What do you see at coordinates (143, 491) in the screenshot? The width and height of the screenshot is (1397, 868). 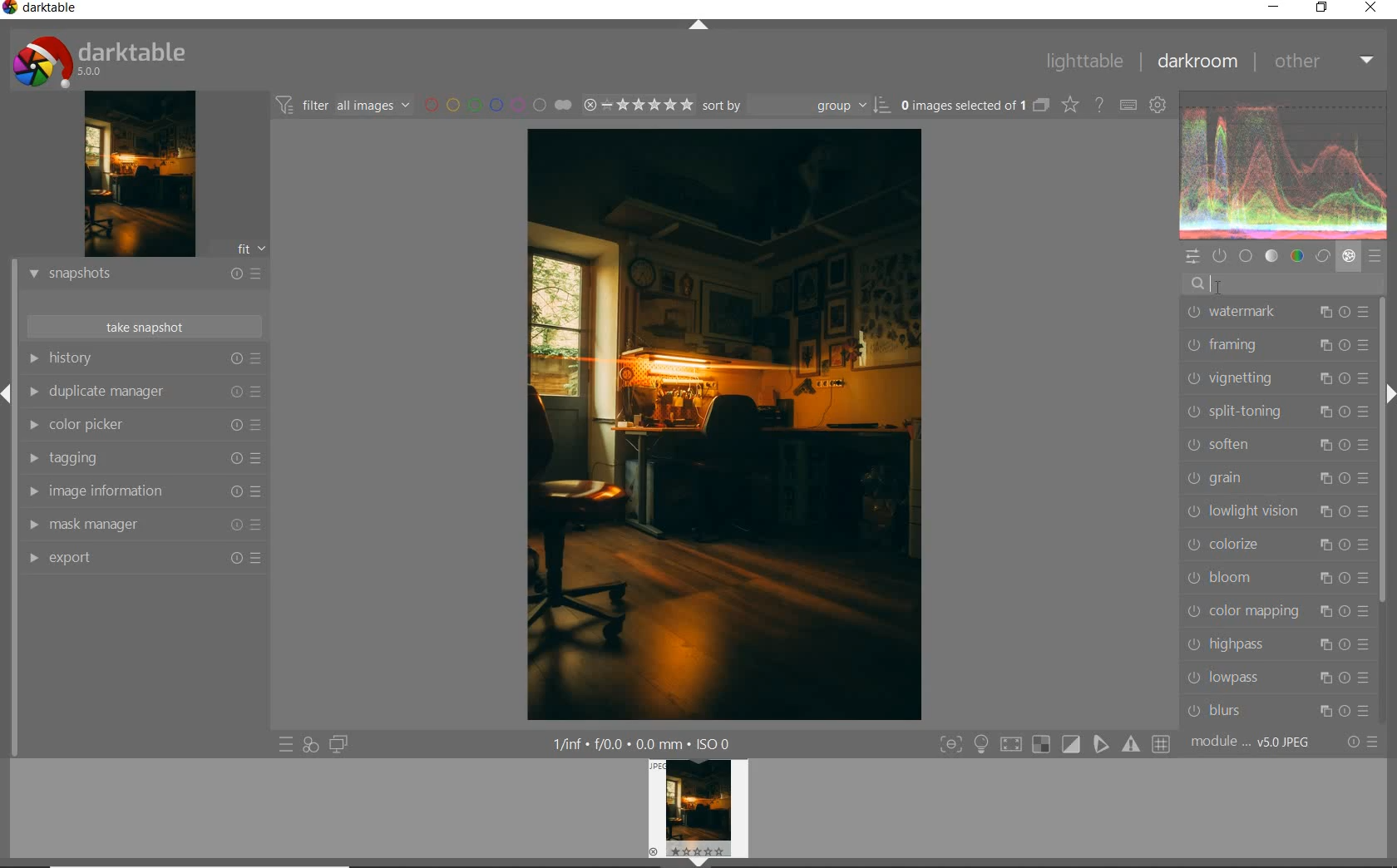 I see `image information` at bounding box center [143, 491].